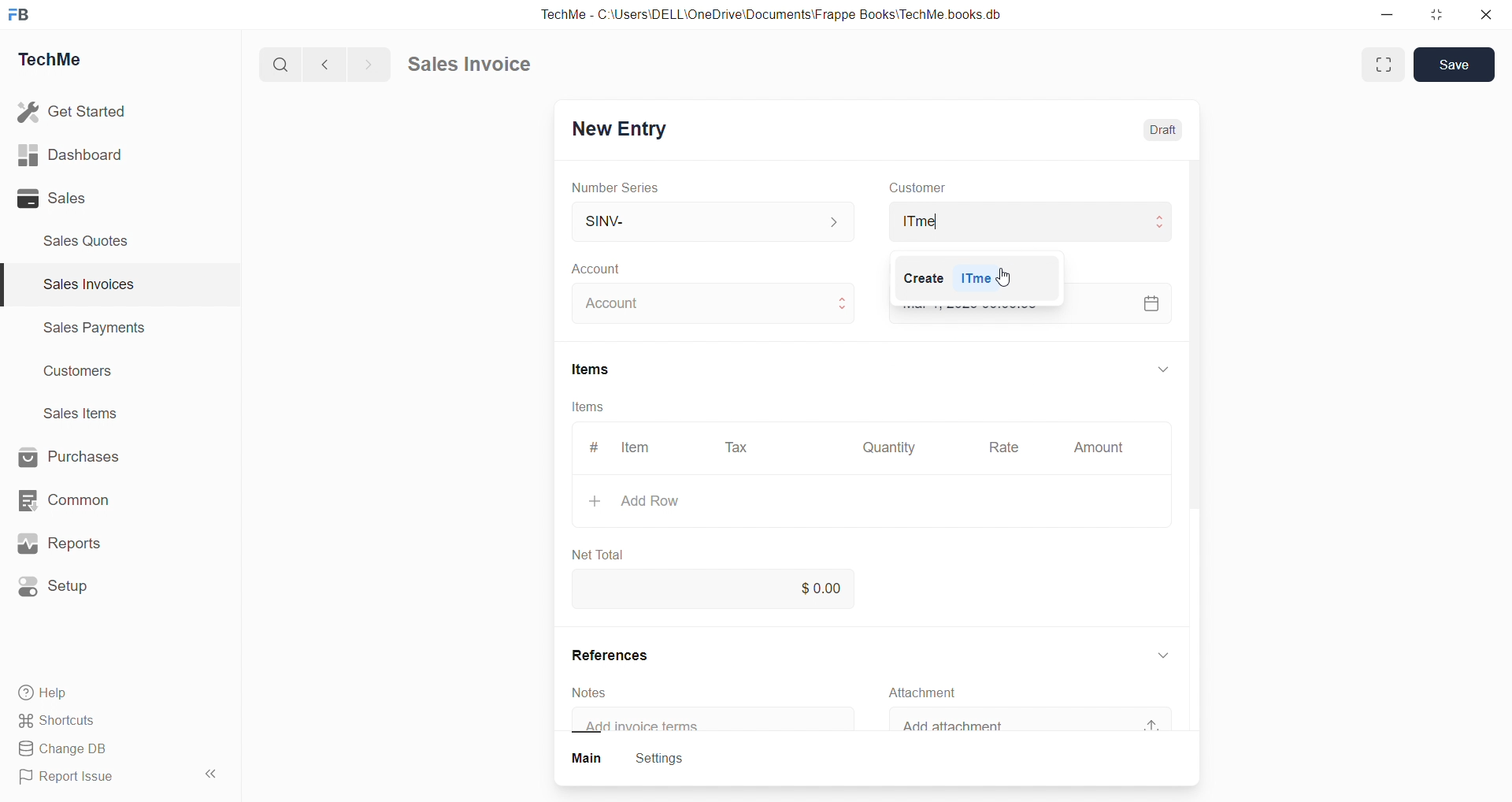  What do you see at coordinates (73, 779) in the screenshot?
I see ` Report Issue` at bounding box center [73, 779].